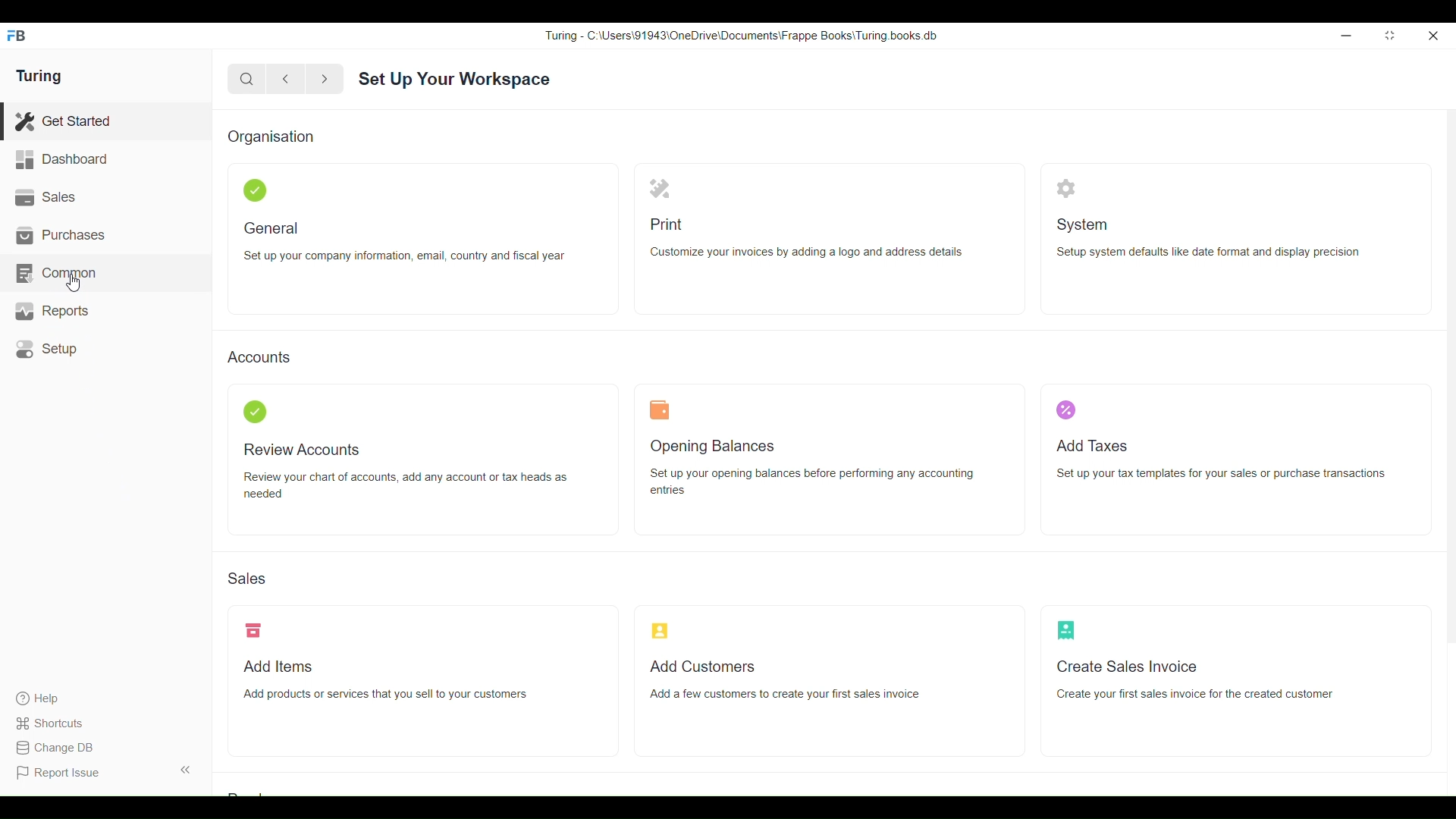 The image size is (1456, 819). Describe the element at coordinates (15, 36) in the screenshot. I see `Frappe Books logo` at that location.